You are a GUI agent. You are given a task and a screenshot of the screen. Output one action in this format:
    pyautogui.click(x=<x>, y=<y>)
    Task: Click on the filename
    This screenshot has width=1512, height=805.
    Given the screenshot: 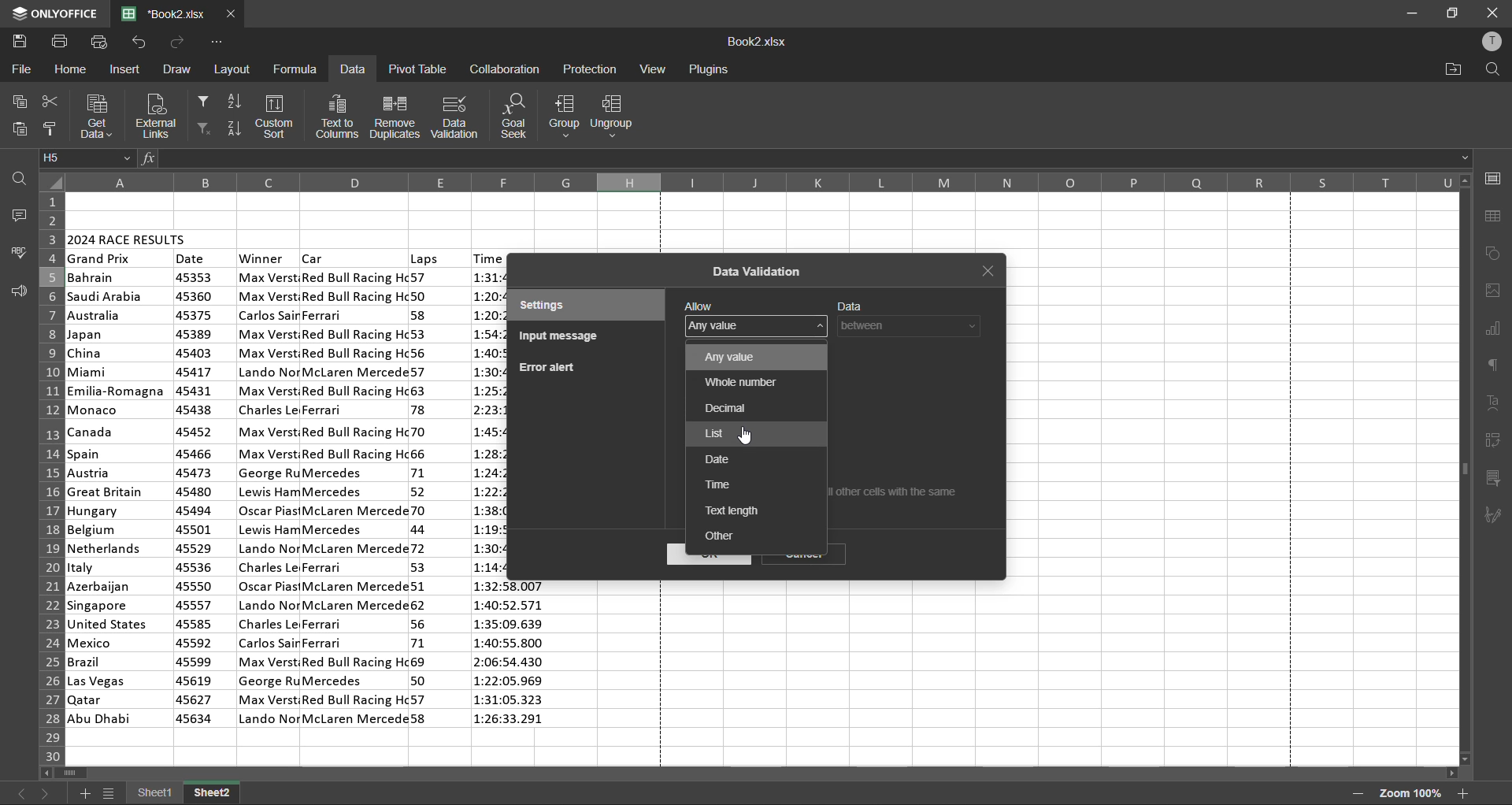 What is the action you would take?
    pyautogui.click(x=757, y=43)
    